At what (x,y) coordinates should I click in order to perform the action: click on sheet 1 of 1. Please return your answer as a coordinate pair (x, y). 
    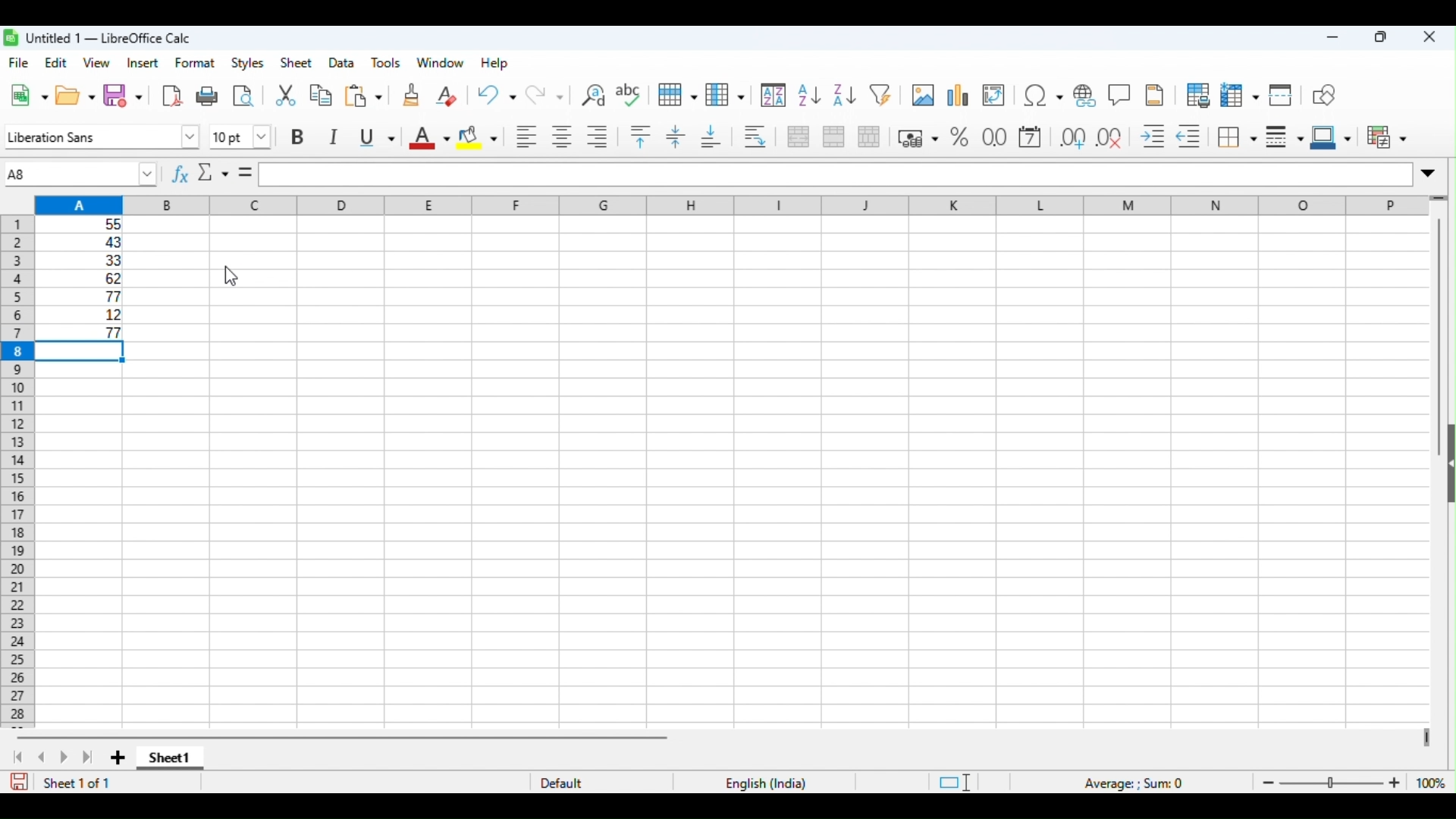
    Looking at the image, I should click on (78, 783).